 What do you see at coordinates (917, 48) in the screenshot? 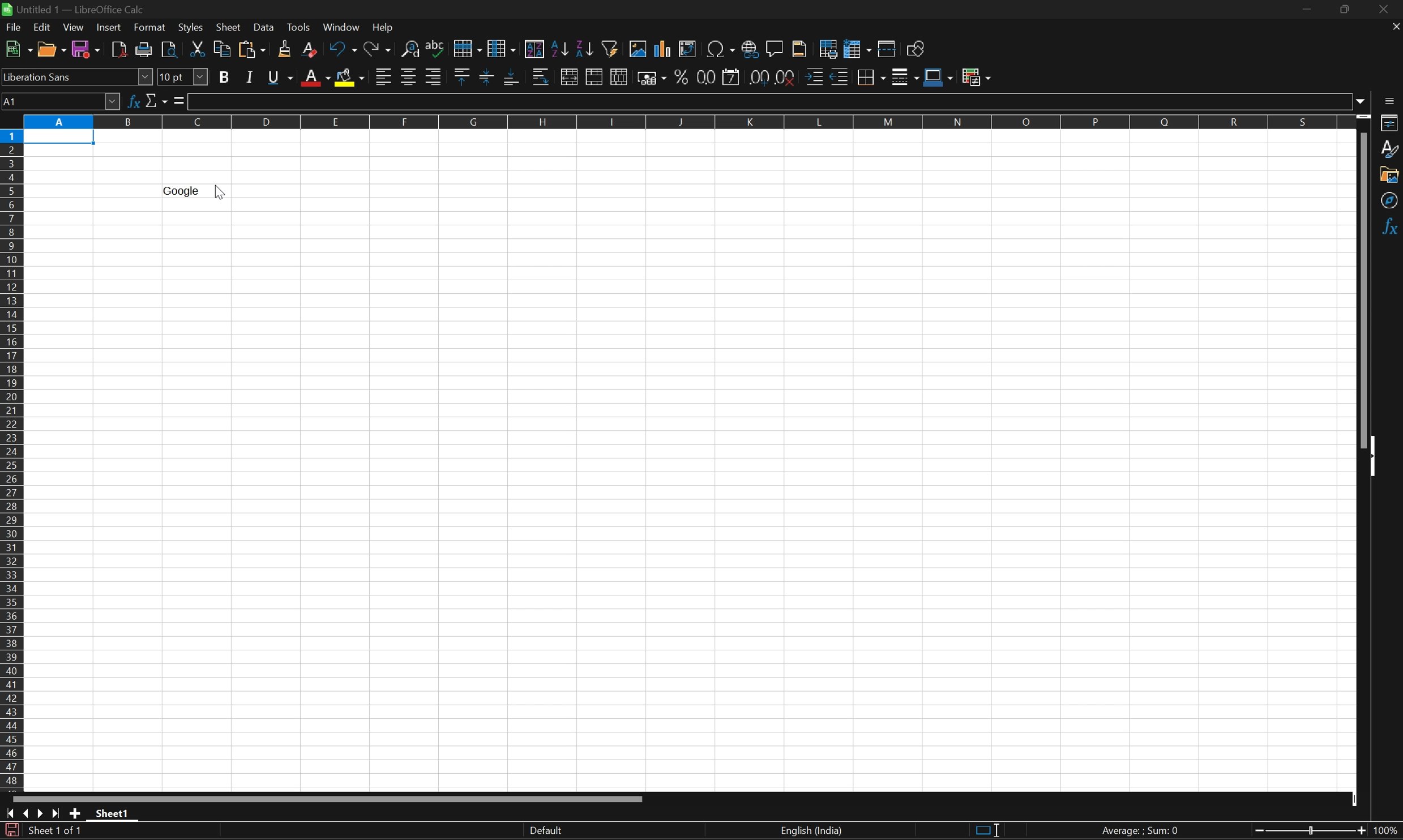
I see `Show draw functions` at bounding box center [917, 48].